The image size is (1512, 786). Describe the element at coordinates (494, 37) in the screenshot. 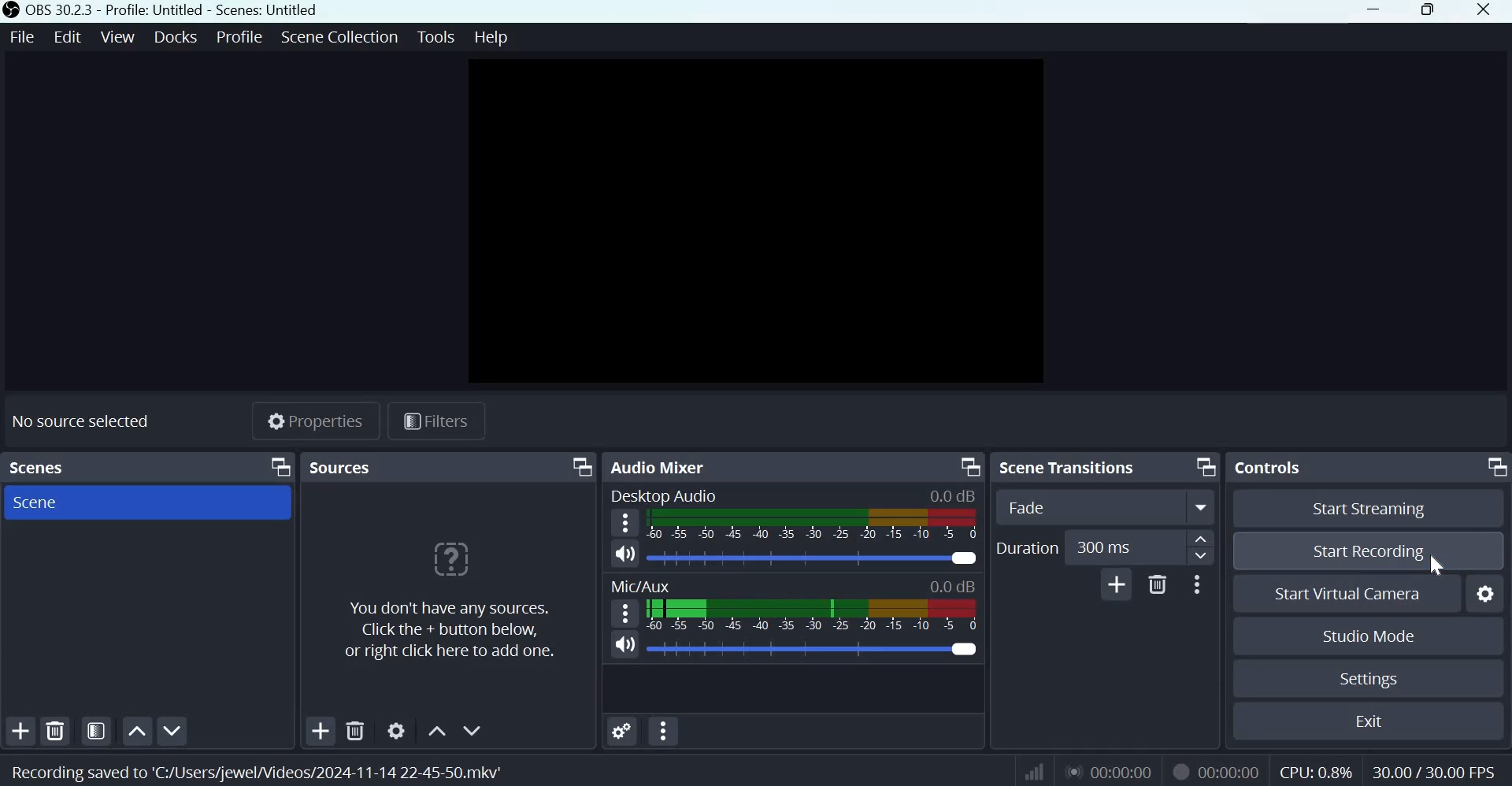

I see `Help` at that location.